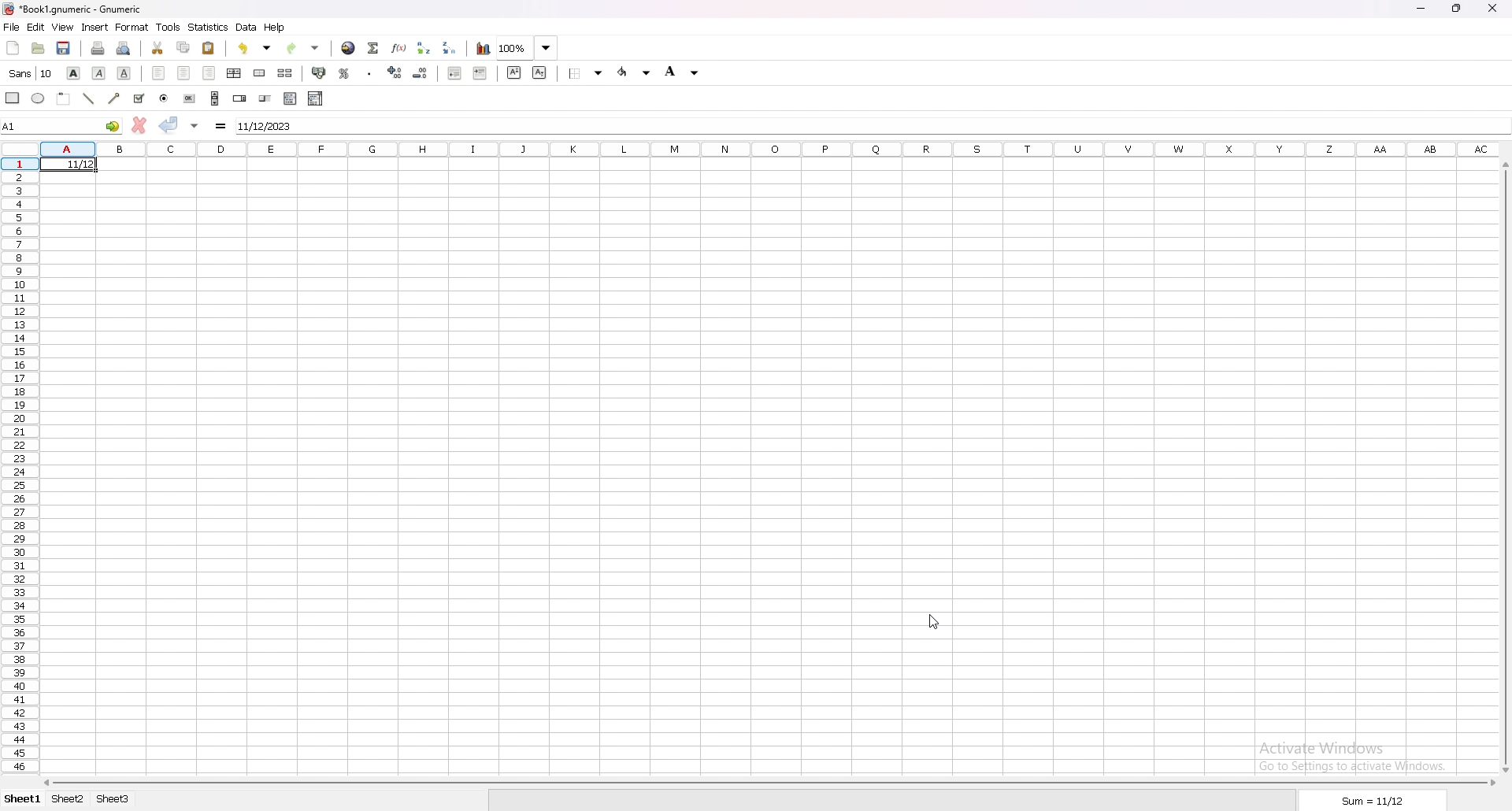  I want to click on summation, so click(374, 47).